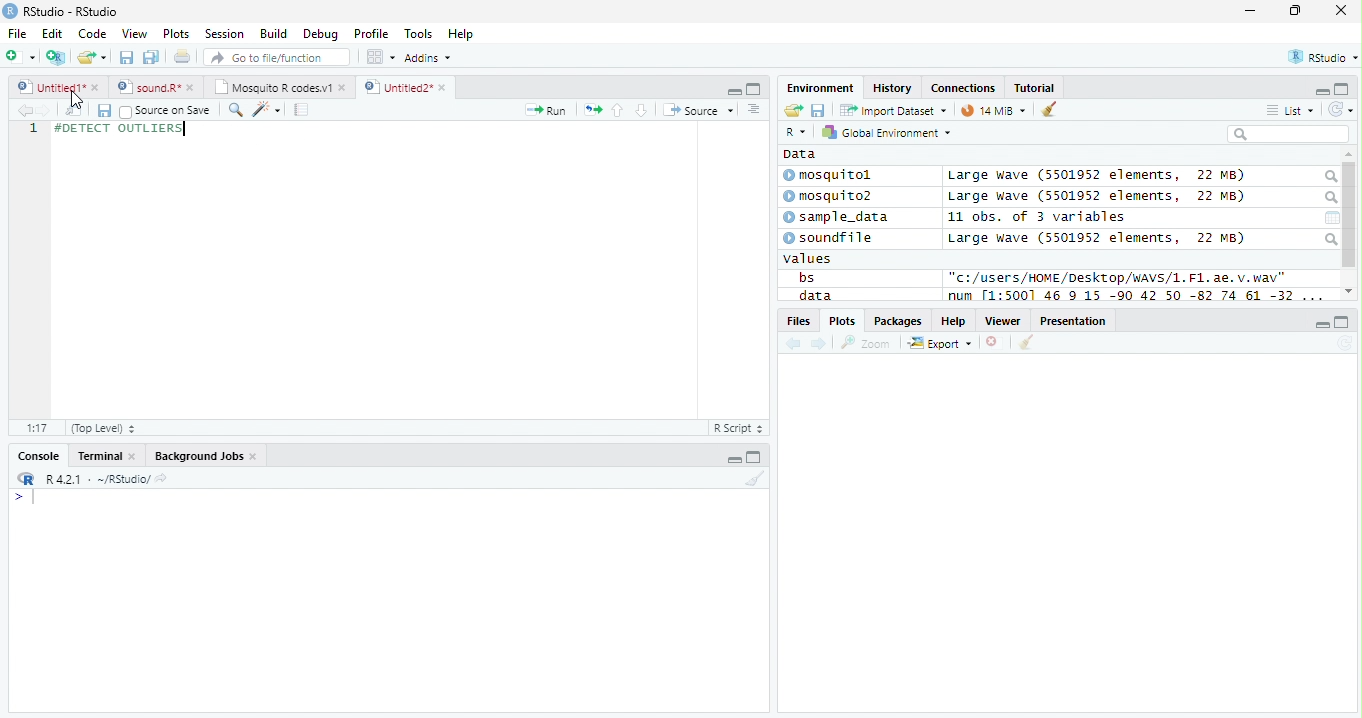 Image resolution: width=1362 pixels, height=718 pixels. I want to click on Save all the open documents, so click(151, 58).